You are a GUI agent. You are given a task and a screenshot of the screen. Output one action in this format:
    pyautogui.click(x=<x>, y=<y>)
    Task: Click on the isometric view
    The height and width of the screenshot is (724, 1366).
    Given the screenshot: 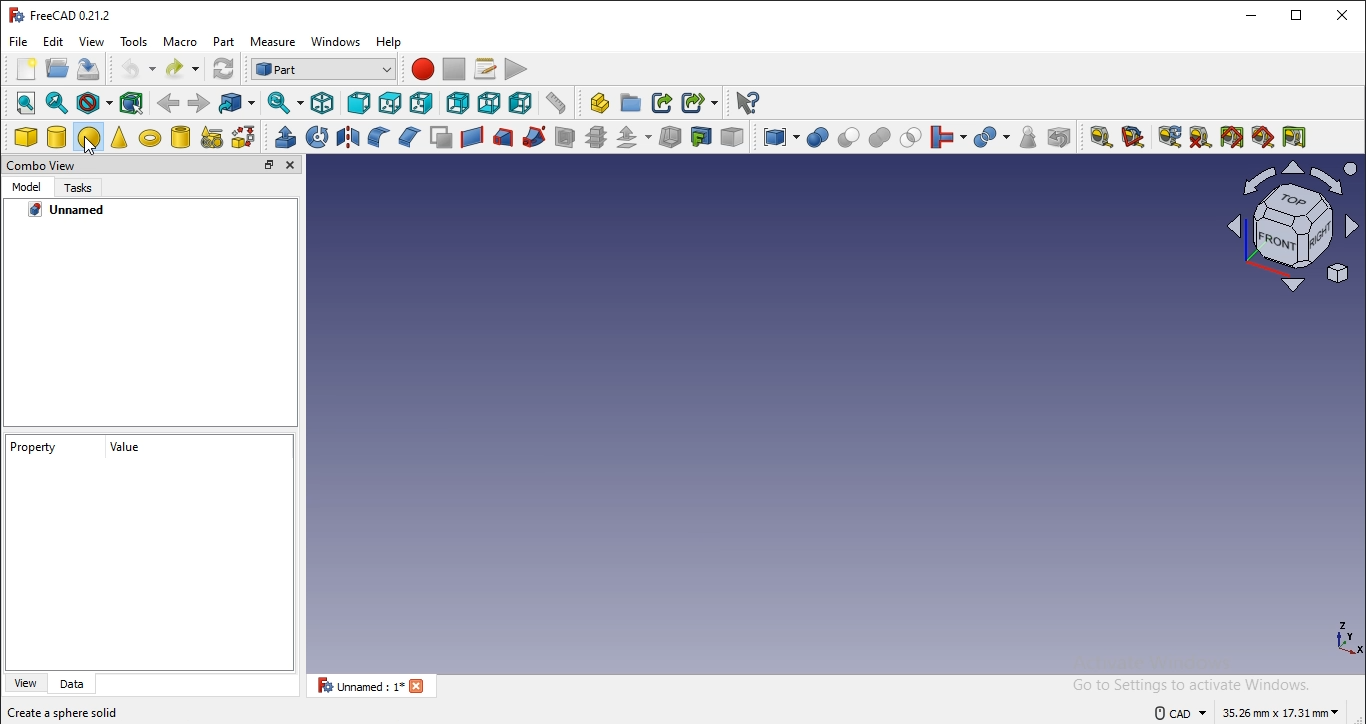 What is the action you would take?
    pyautogui.click(x=320, y=101)
    